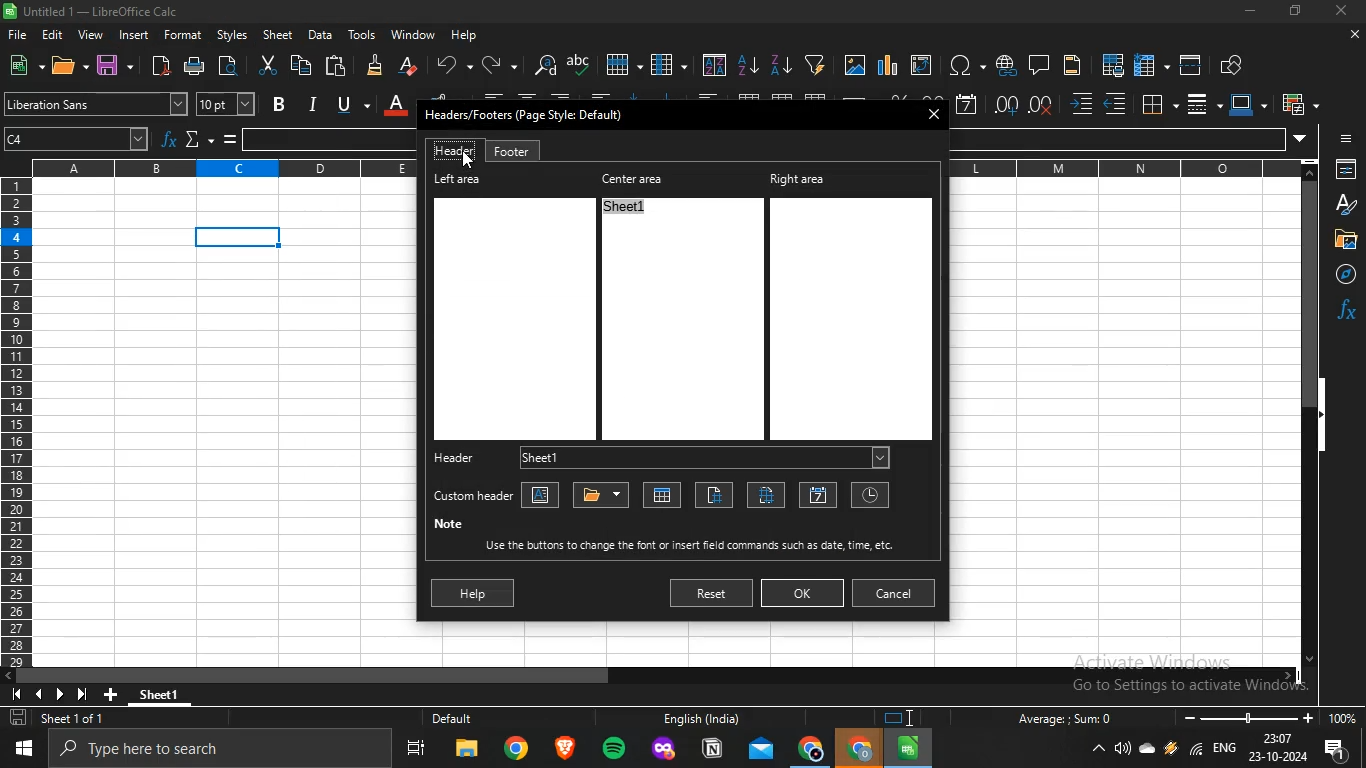  Describe the element at coordinates (664, 750) in the screenshot. I see `mozilla firefox` at that location.